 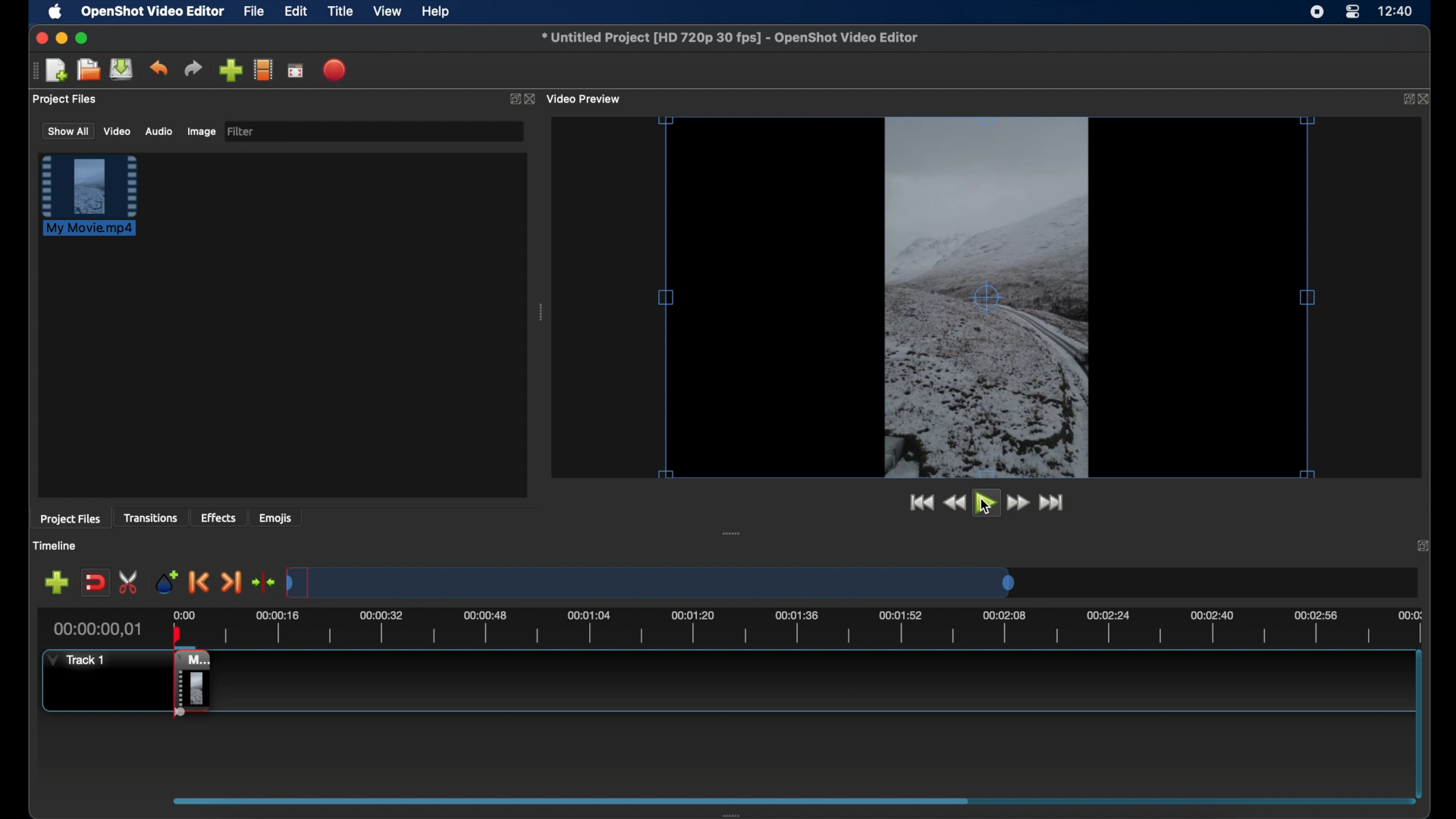 What do you see at coordinates (95, 583) in the screenshot?
I see `disable snapping` at bounding box center [95, 583].